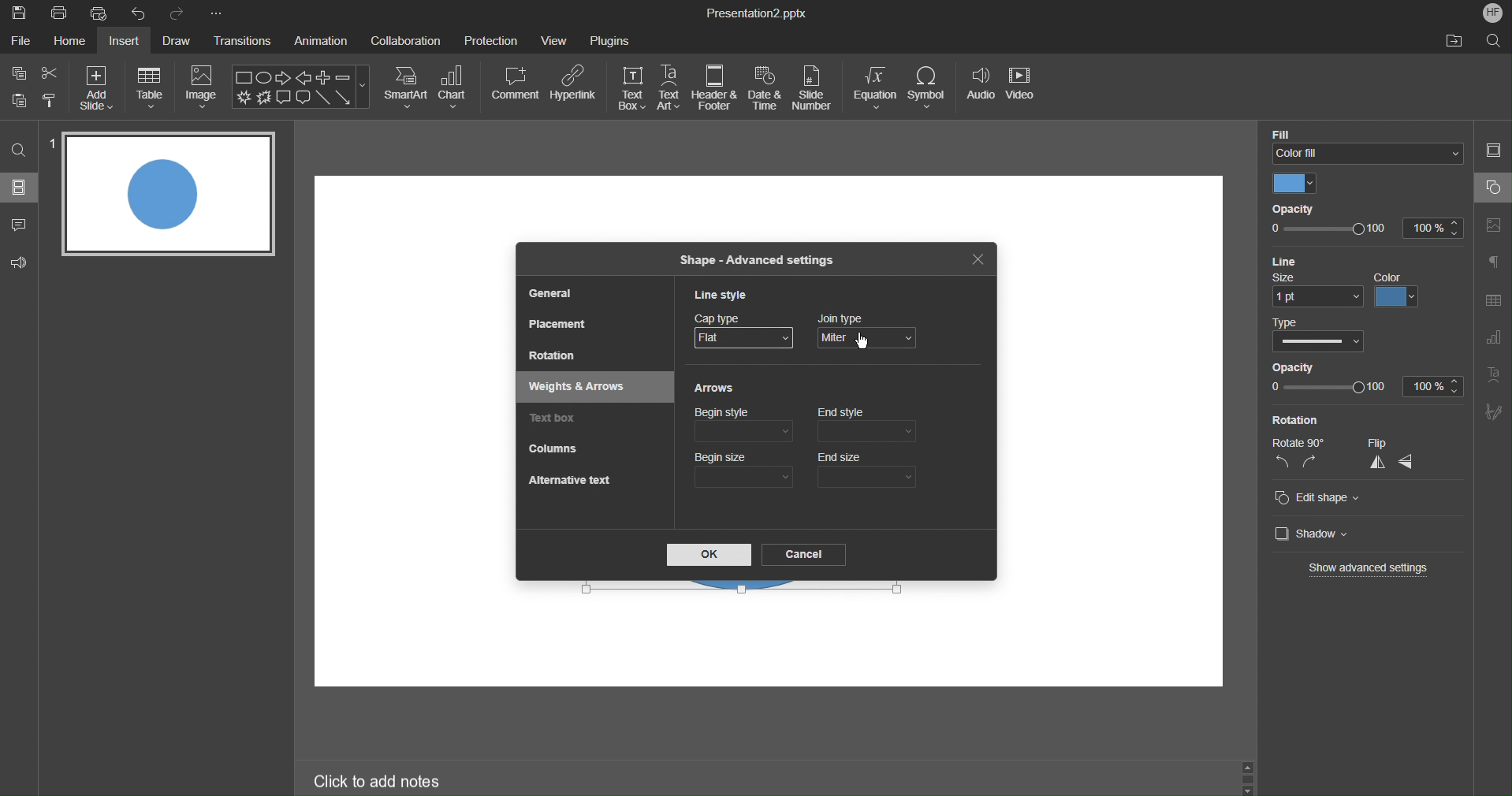 The image size is (1512, 796). I want to click on opacity slider, so click(1328, 230).